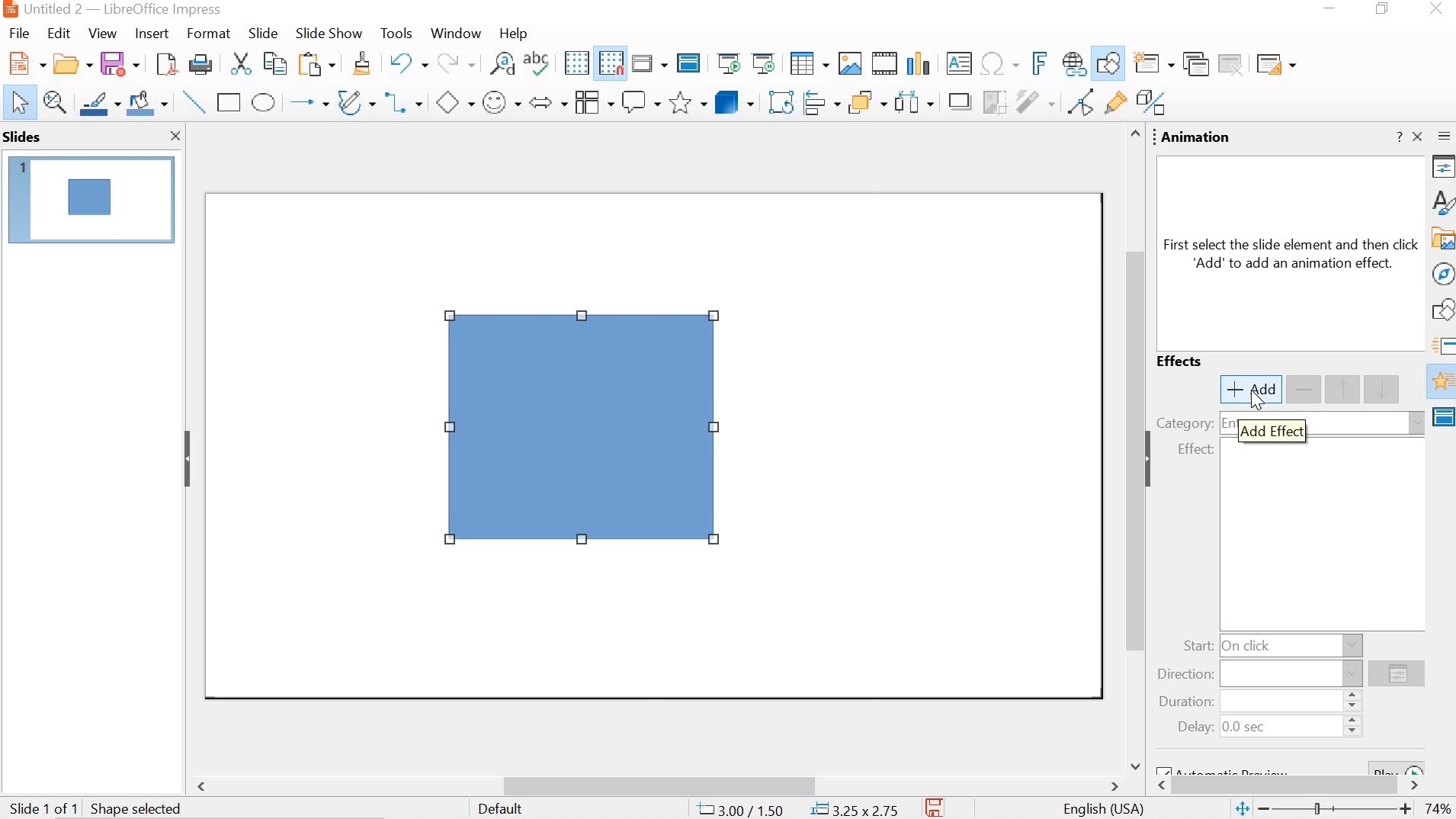 This screenshot has width=1456, height=819. What do you see at coordinates (1257, 700) in the screenshot?
I see `duration` at bounding box center [1257, 700].